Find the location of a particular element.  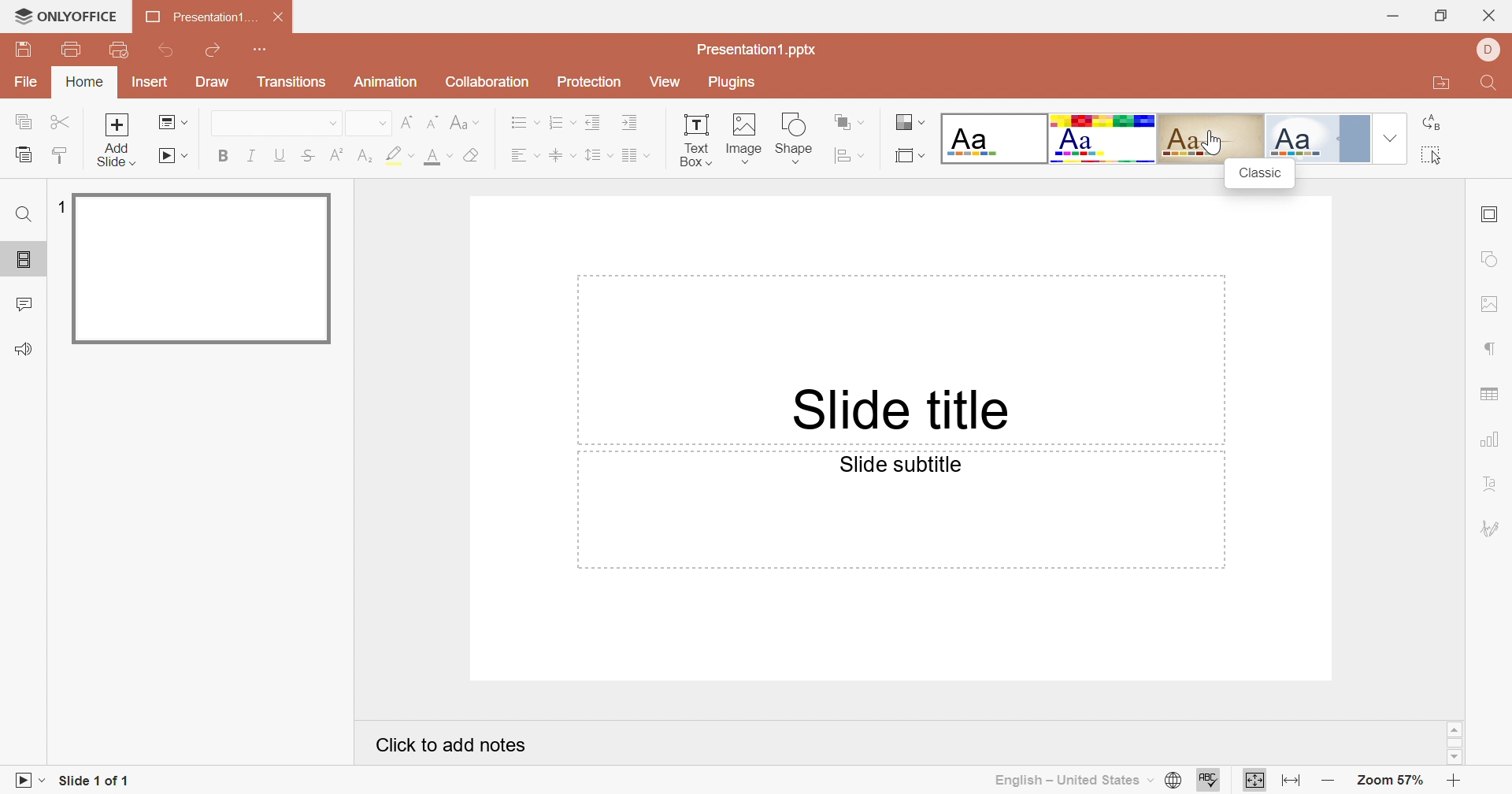

Close is located at coordinates (1491, 14).